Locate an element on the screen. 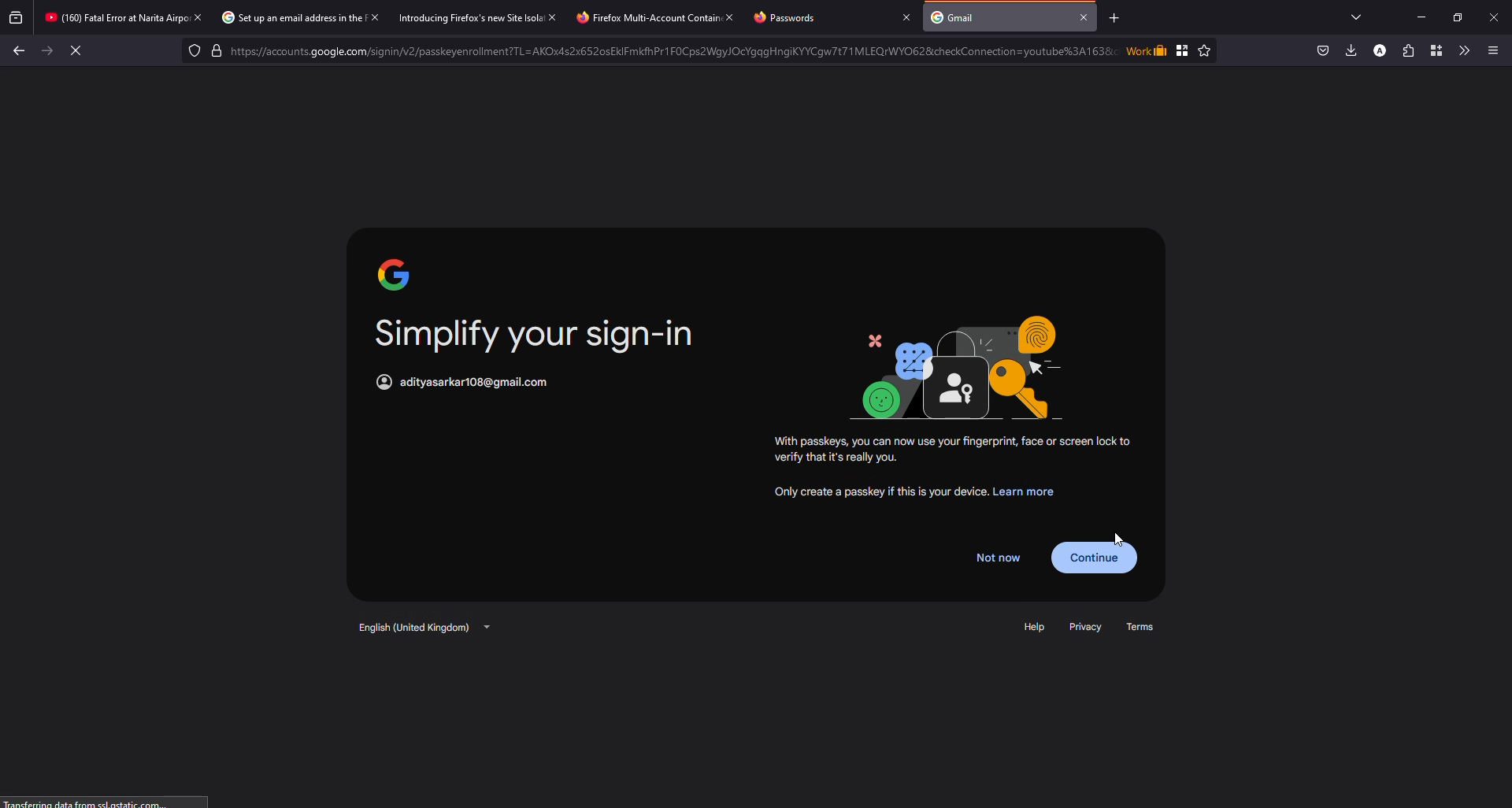 Image resolution: width=1512 pixels, height=808 pixels. more tools is located at coordinates (1462, 49).